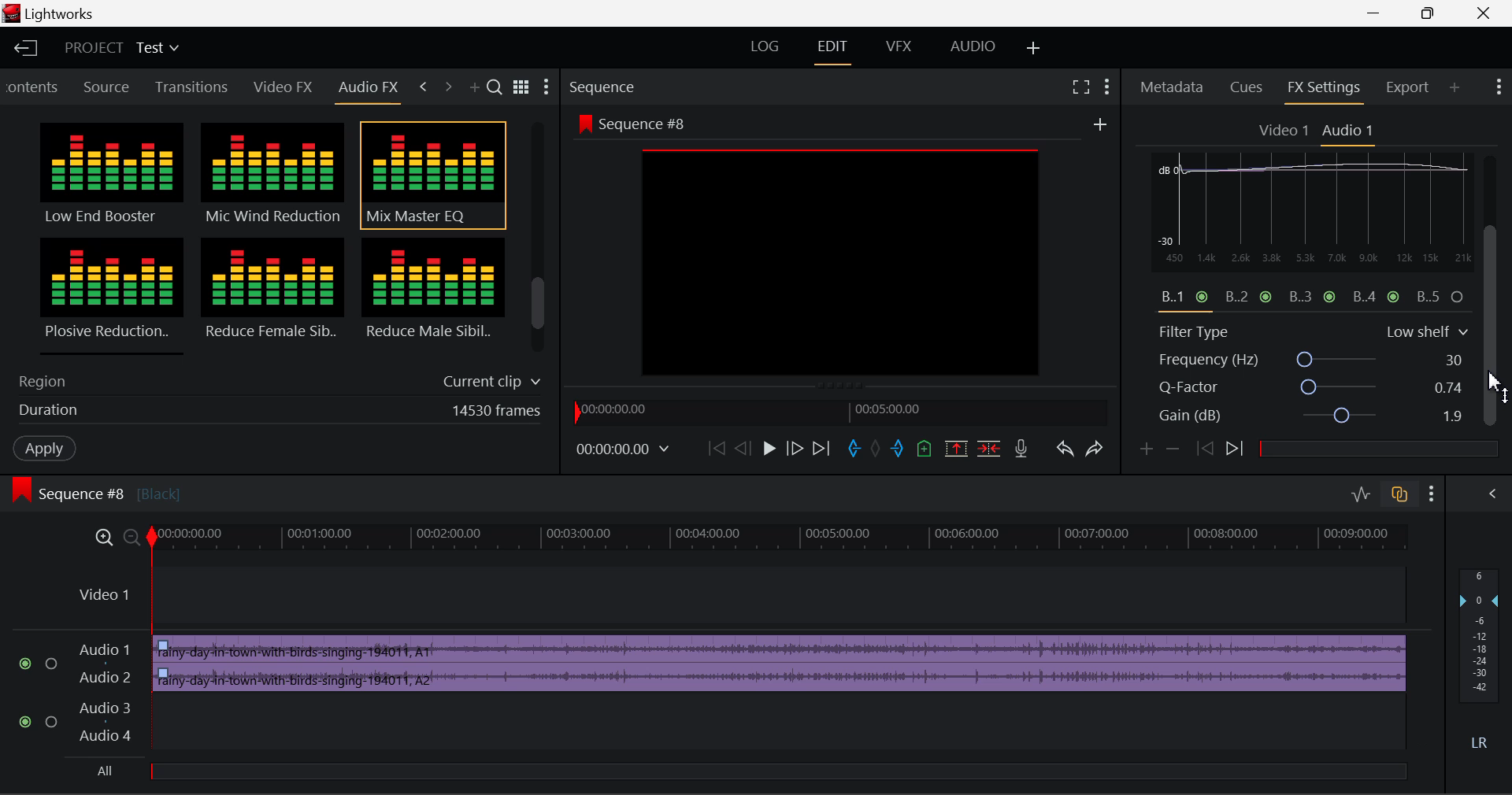  What do you see at coordinates (1080, 87) in the screenshot?
I see `Full Screen` at bounding box center [1080, 87].